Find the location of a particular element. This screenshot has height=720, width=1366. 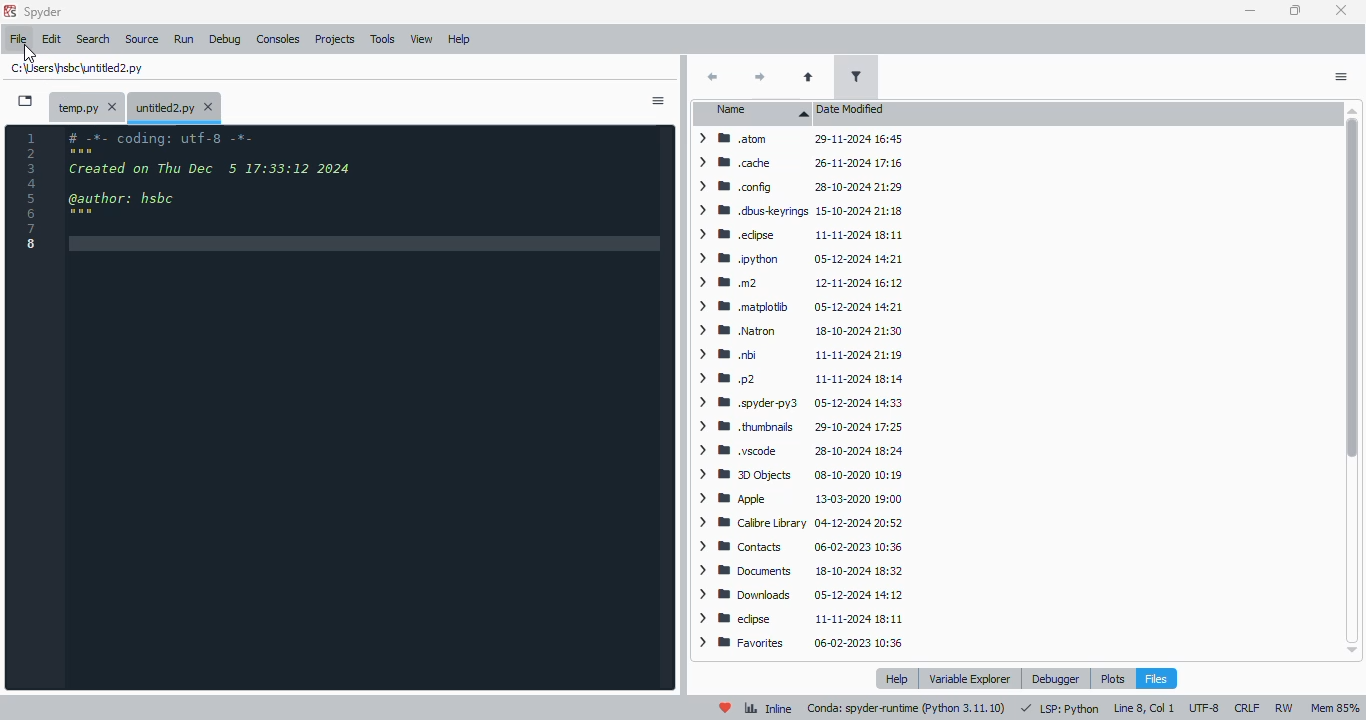

> MW config 28-10-2024 21:29 is located at coordinates (797, 186).